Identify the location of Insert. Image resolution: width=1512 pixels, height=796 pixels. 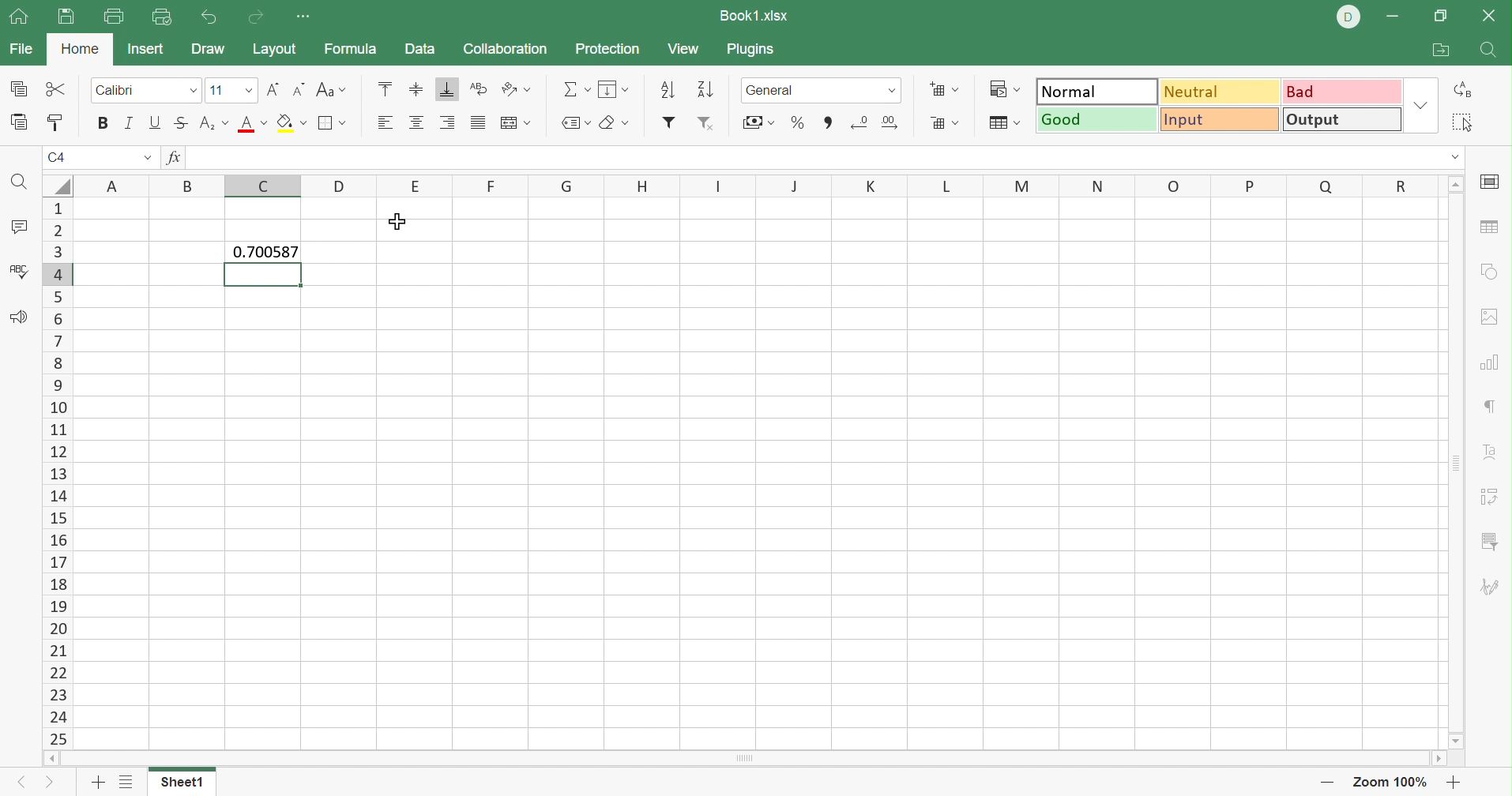
(147, 48).